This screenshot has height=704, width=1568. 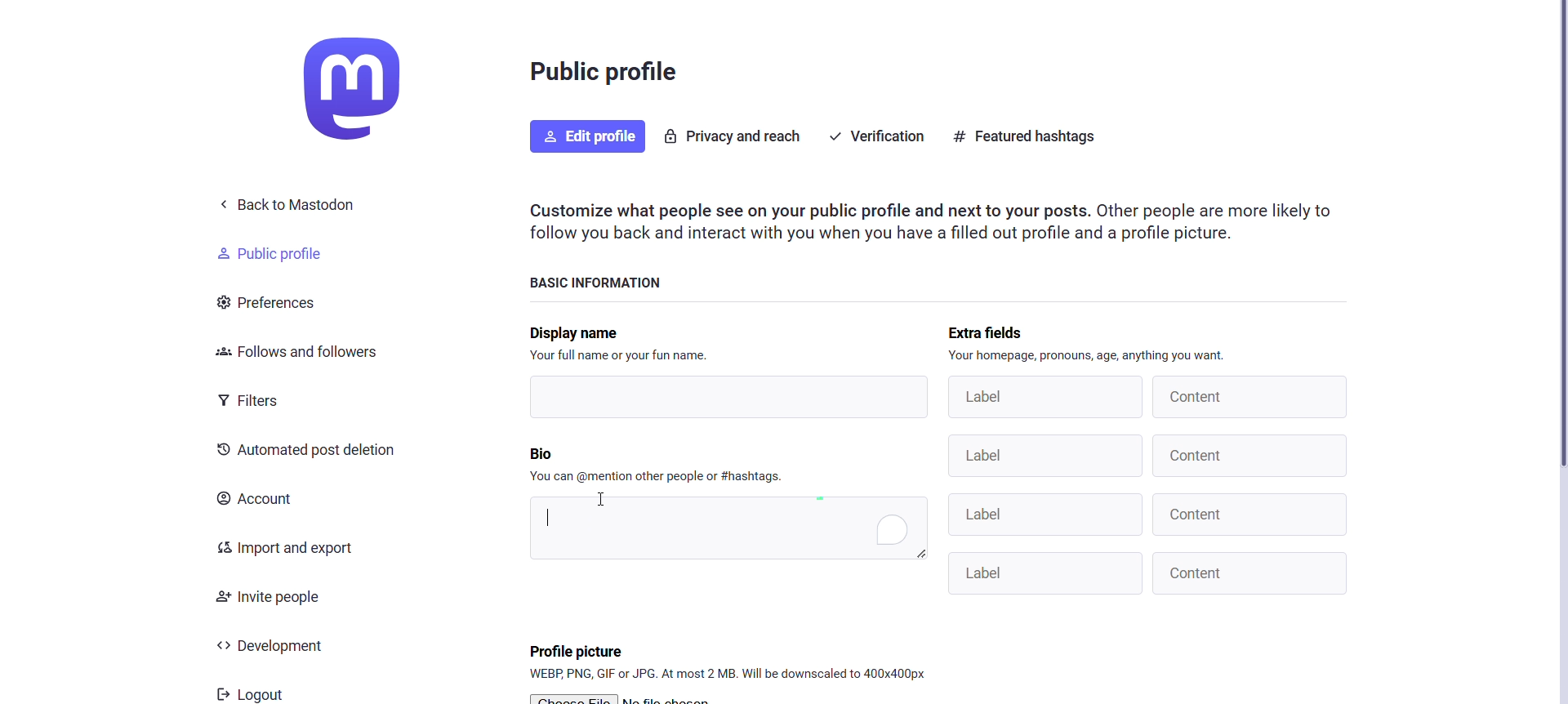 What do you see at coordinates (1089, 354) in the screenshot?
I see `‘Your homepage, pronouns, age, anything you want.` at bounding box center [1089, 354].